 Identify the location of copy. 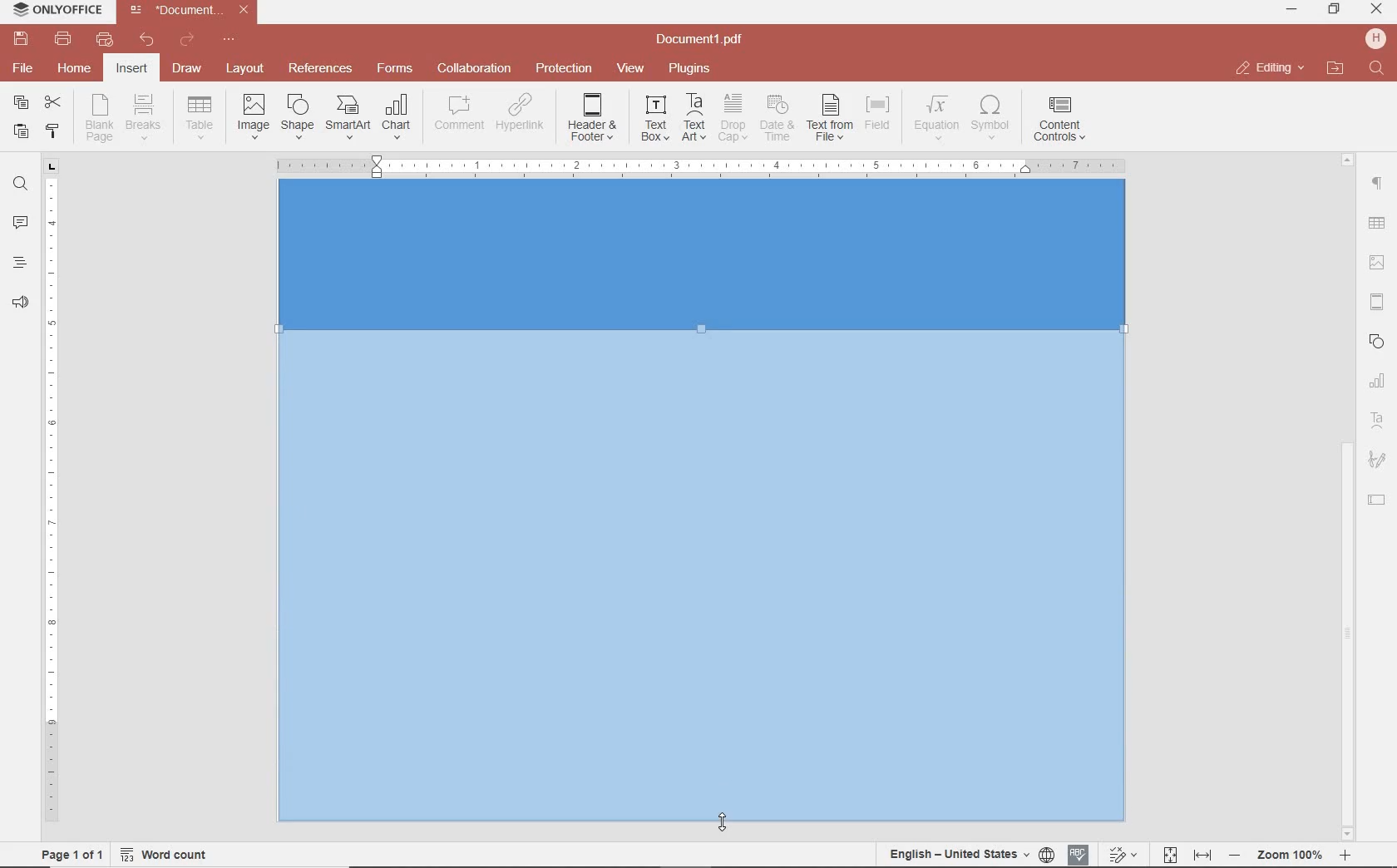
(21, 104).